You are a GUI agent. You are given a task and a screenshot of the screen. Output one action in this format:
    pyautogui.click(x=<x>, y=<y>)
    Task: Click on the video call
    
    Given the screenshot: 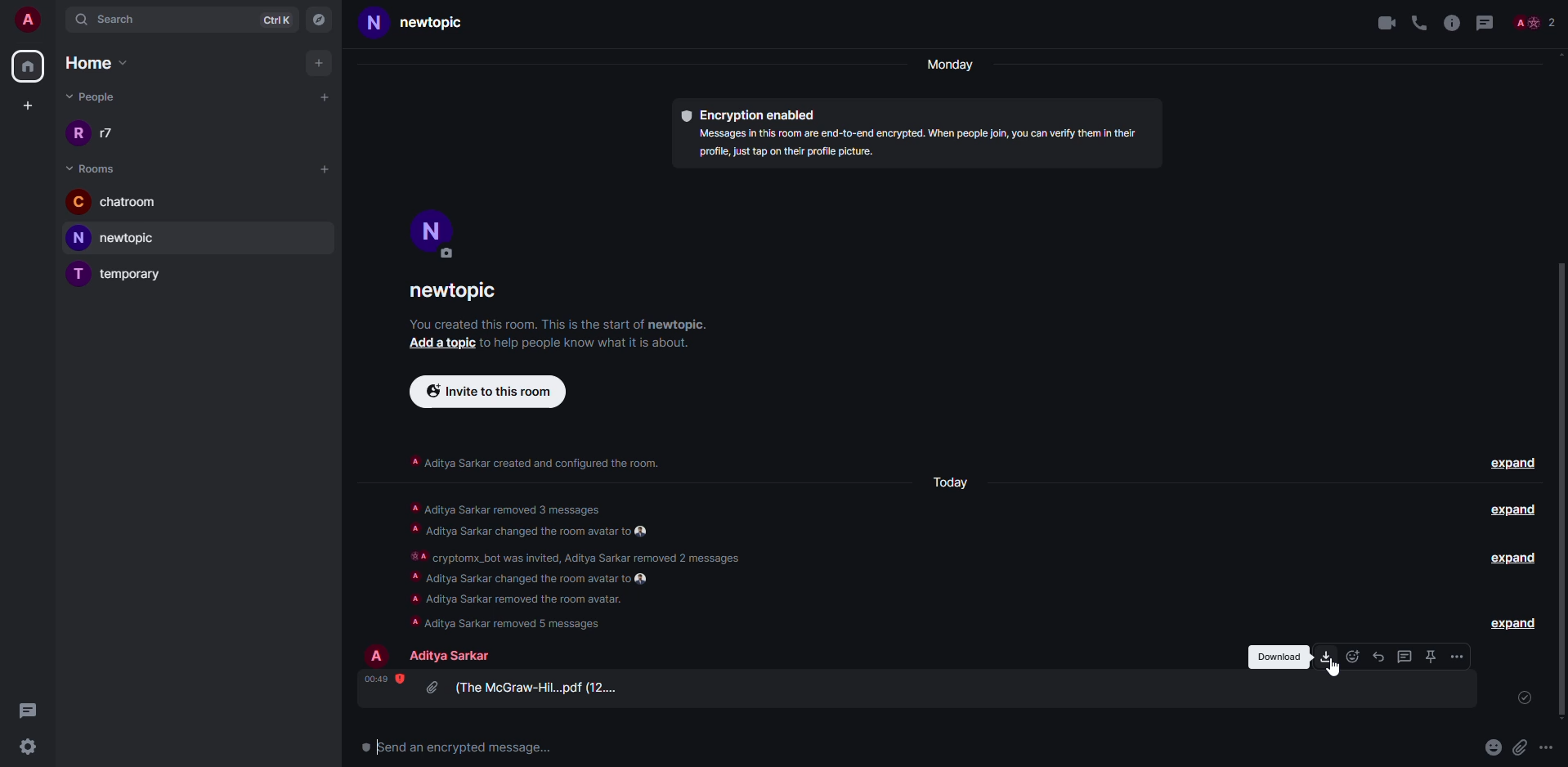 What is the action you would take?
    pyautogui.click(x=1382, y=23)
    